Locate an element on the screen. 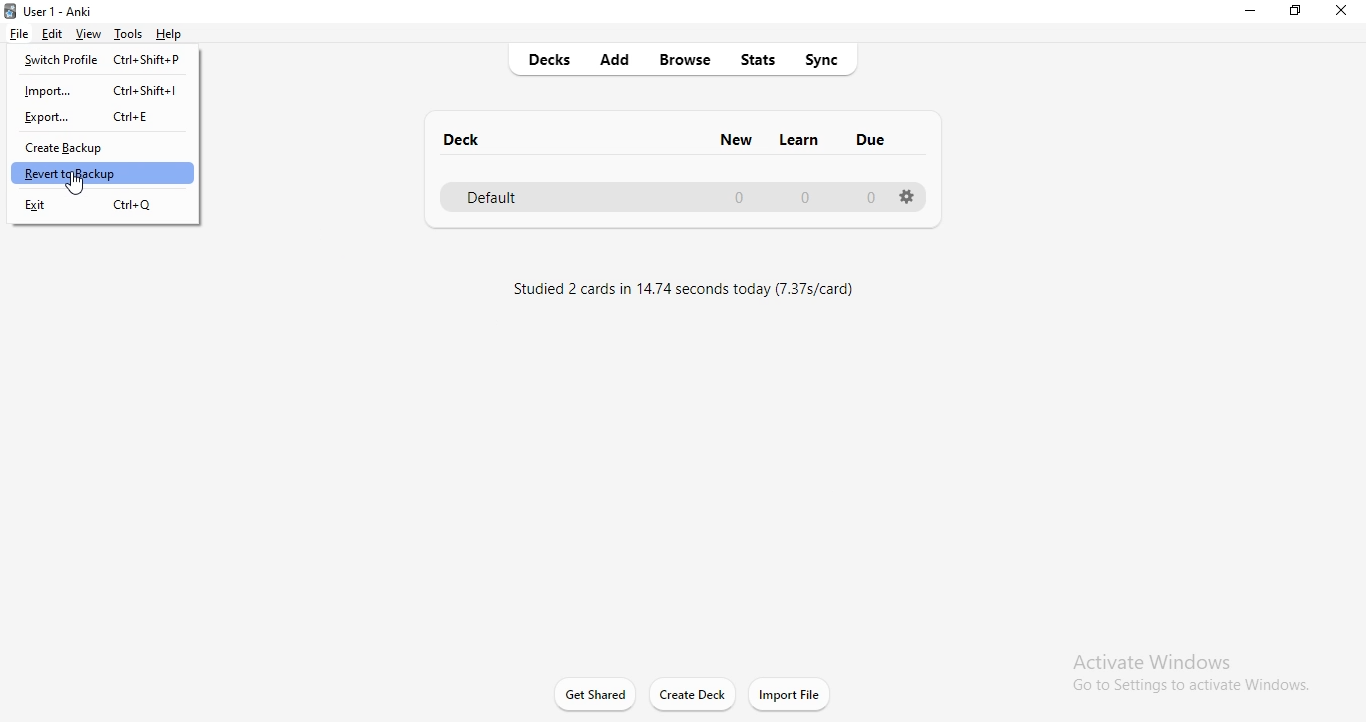  cursor is located at coordinates (75, 189).